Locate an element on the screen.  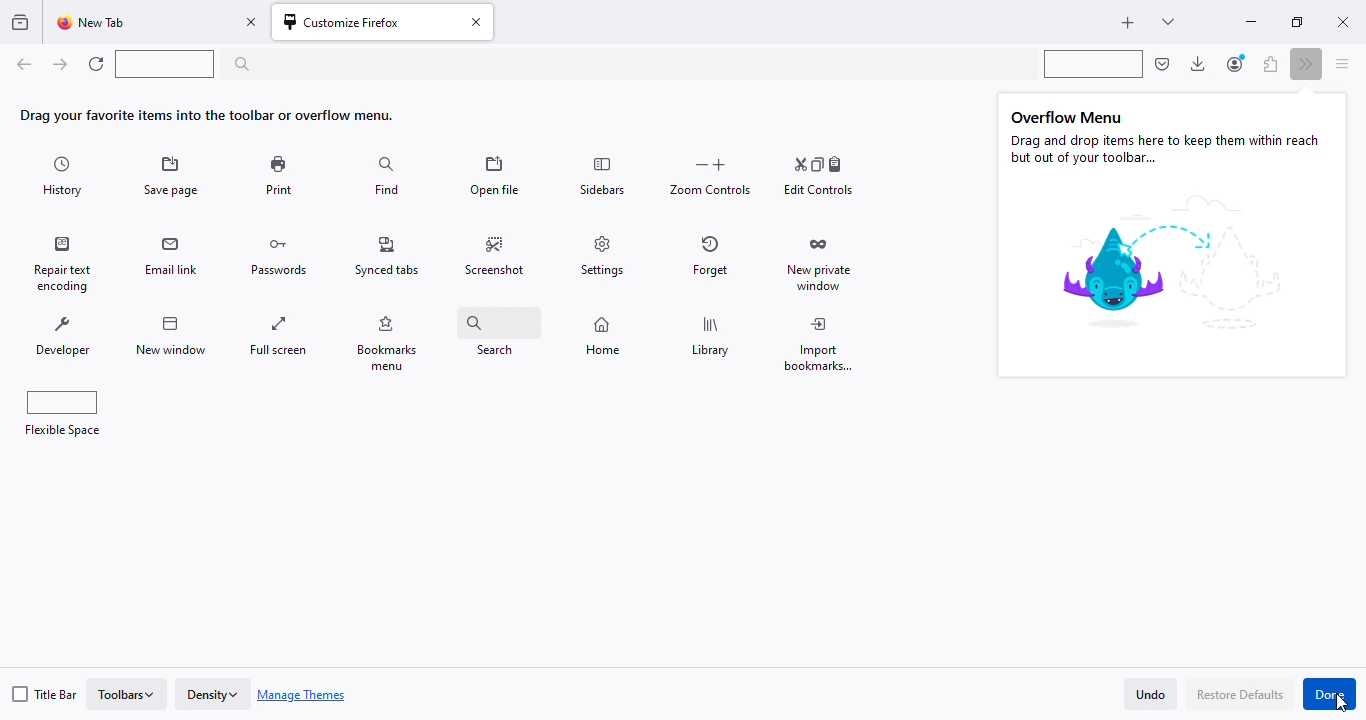
open application menu is located at coordinates (1343, 63).